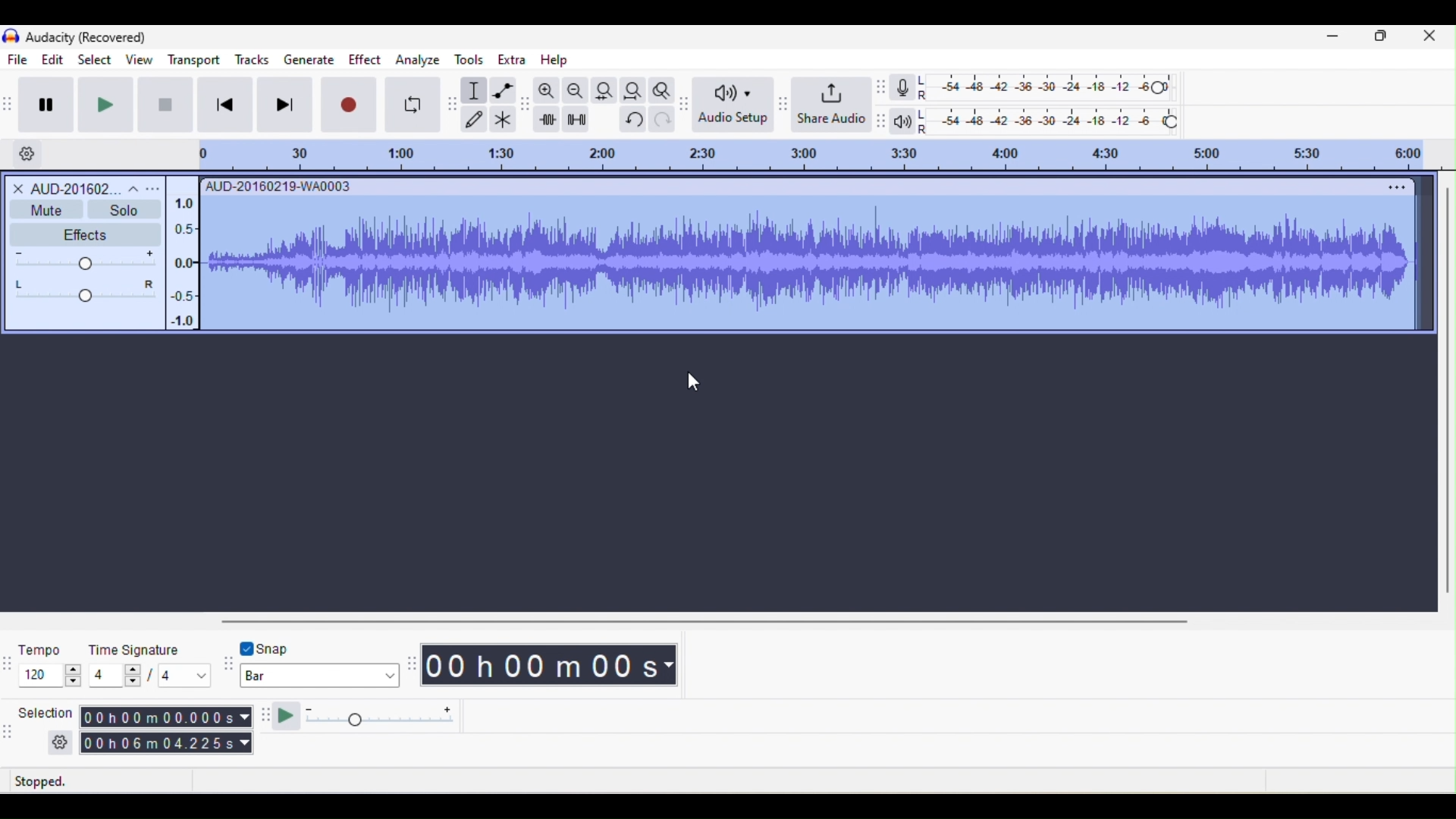 The height and width of the screenshot is (819, 1456). I want to click on pause, so click(51, 102).